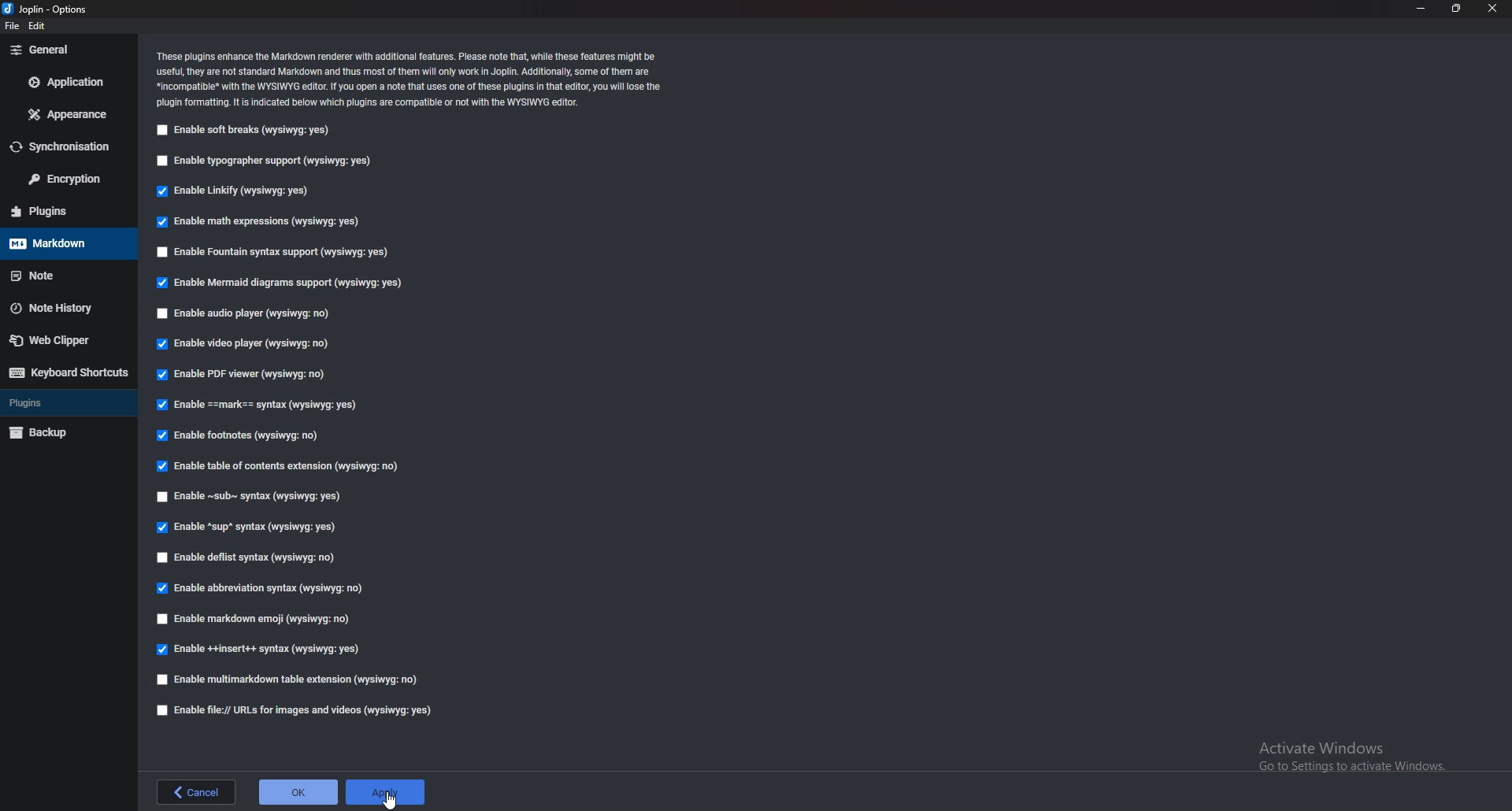 This screenshot has width=1512, height=811. I want to click on Note history, so click(69, 307).